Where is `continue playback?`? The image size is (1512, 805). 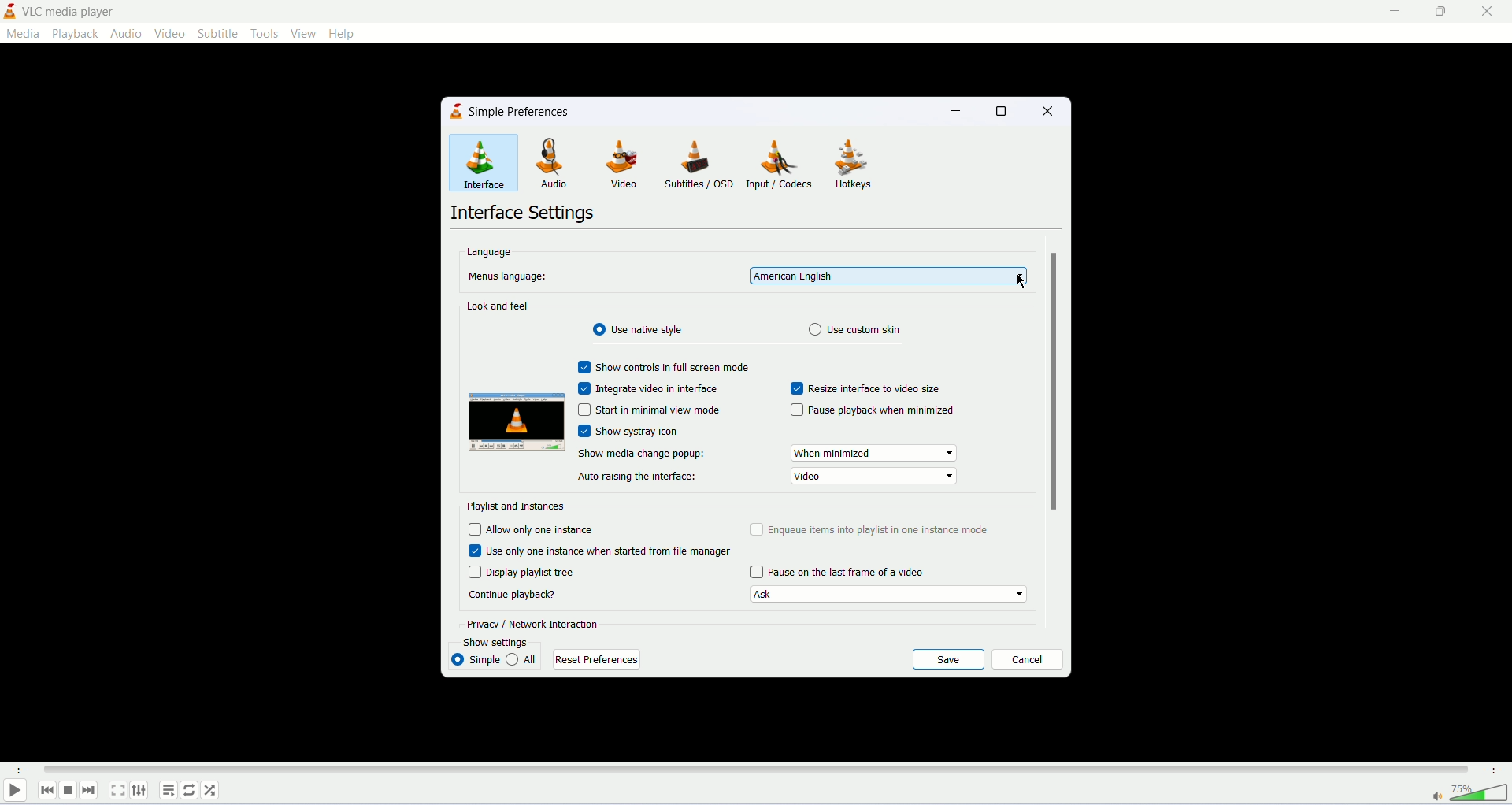
continue playback? is located at coordinates (512, 594).